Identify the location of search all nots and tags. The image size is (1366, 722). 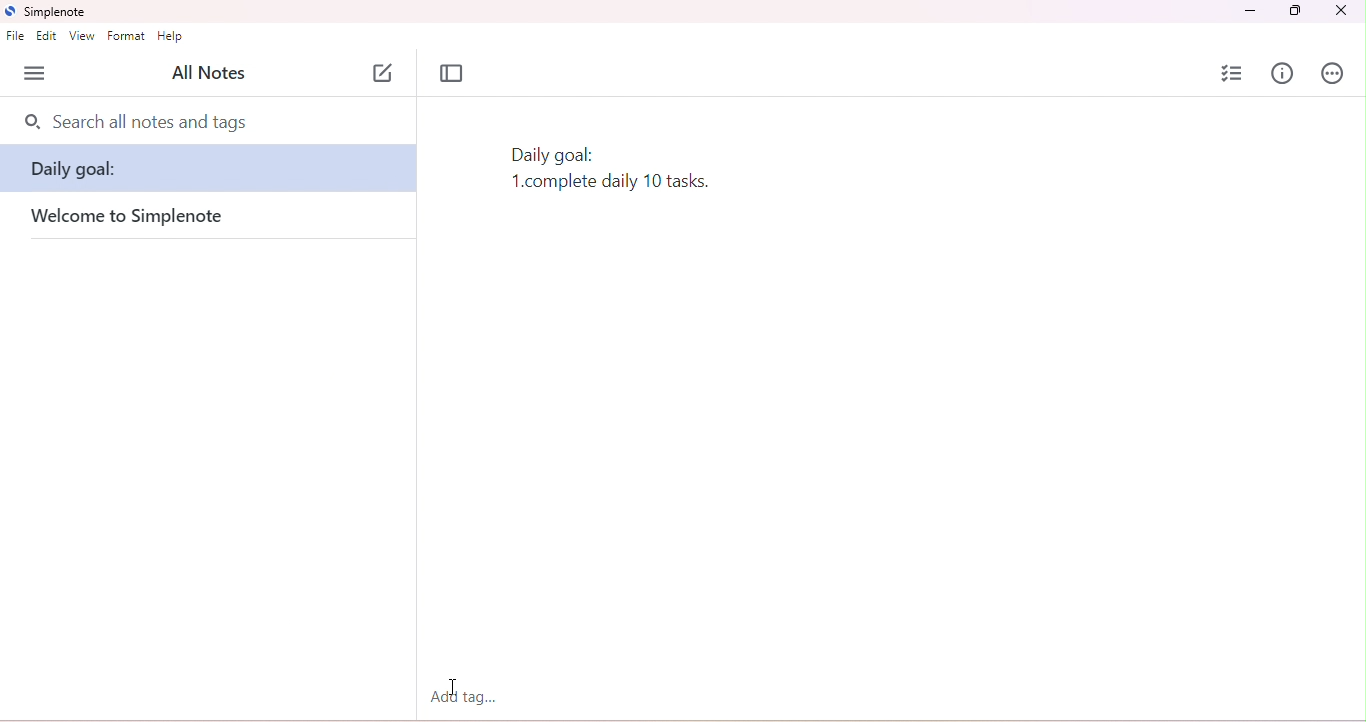
(149, 122).